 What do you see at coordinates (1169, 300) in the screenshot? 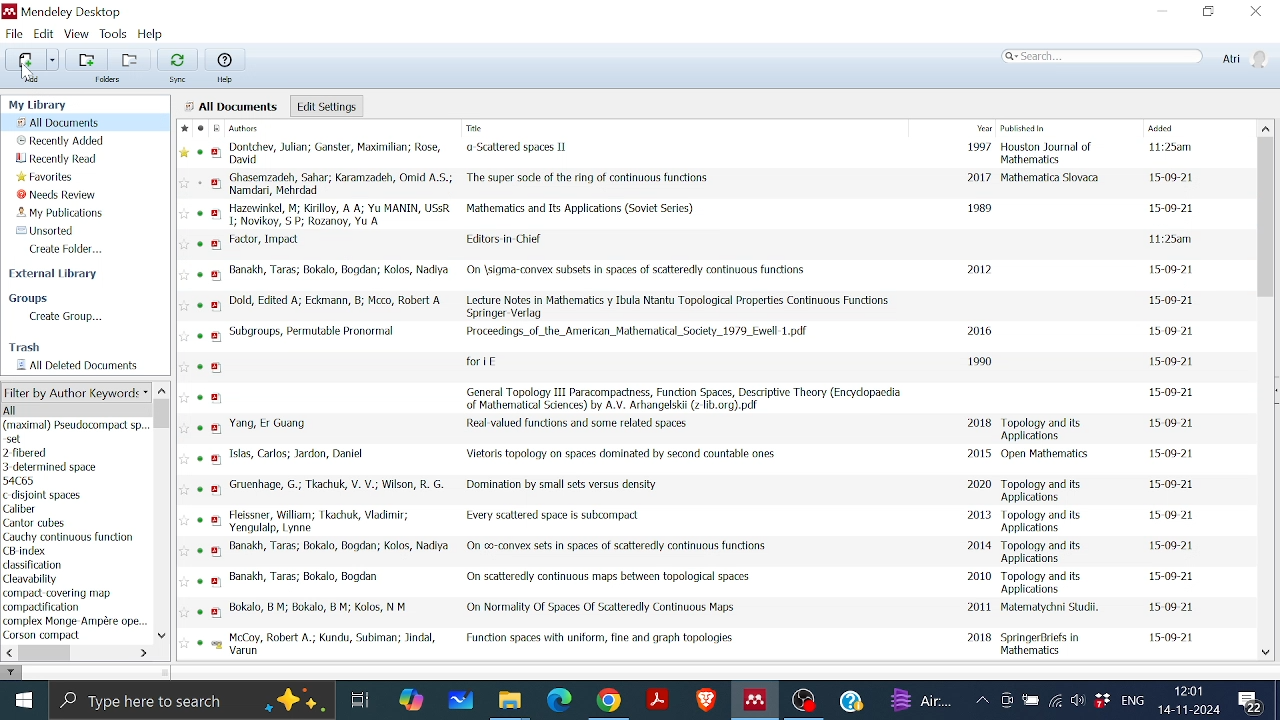
I see `date` at bounding box center [1169, 300].